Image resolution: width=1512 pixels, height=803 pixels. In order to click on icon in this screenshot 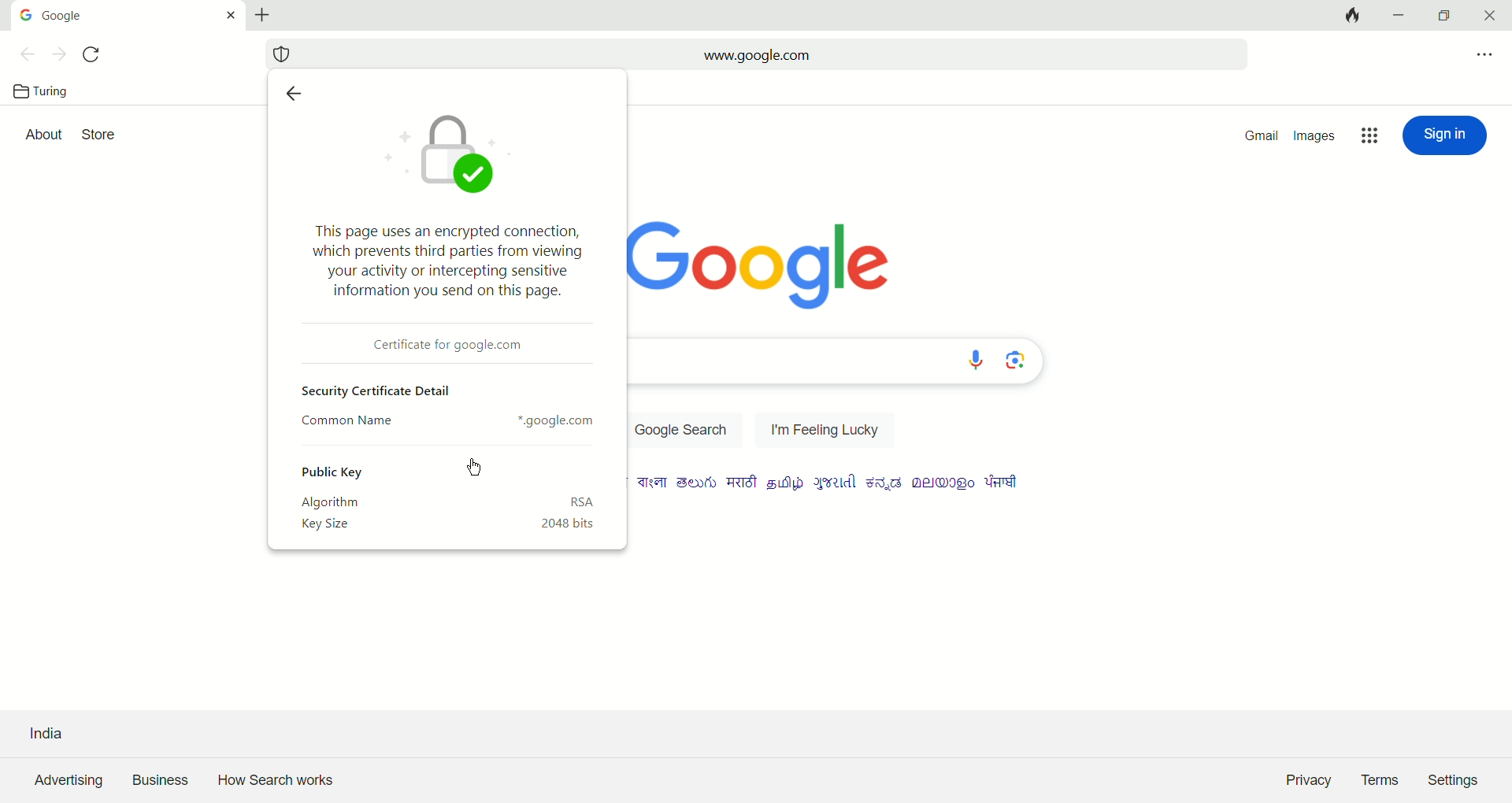, I will do `click(457, 154)`.